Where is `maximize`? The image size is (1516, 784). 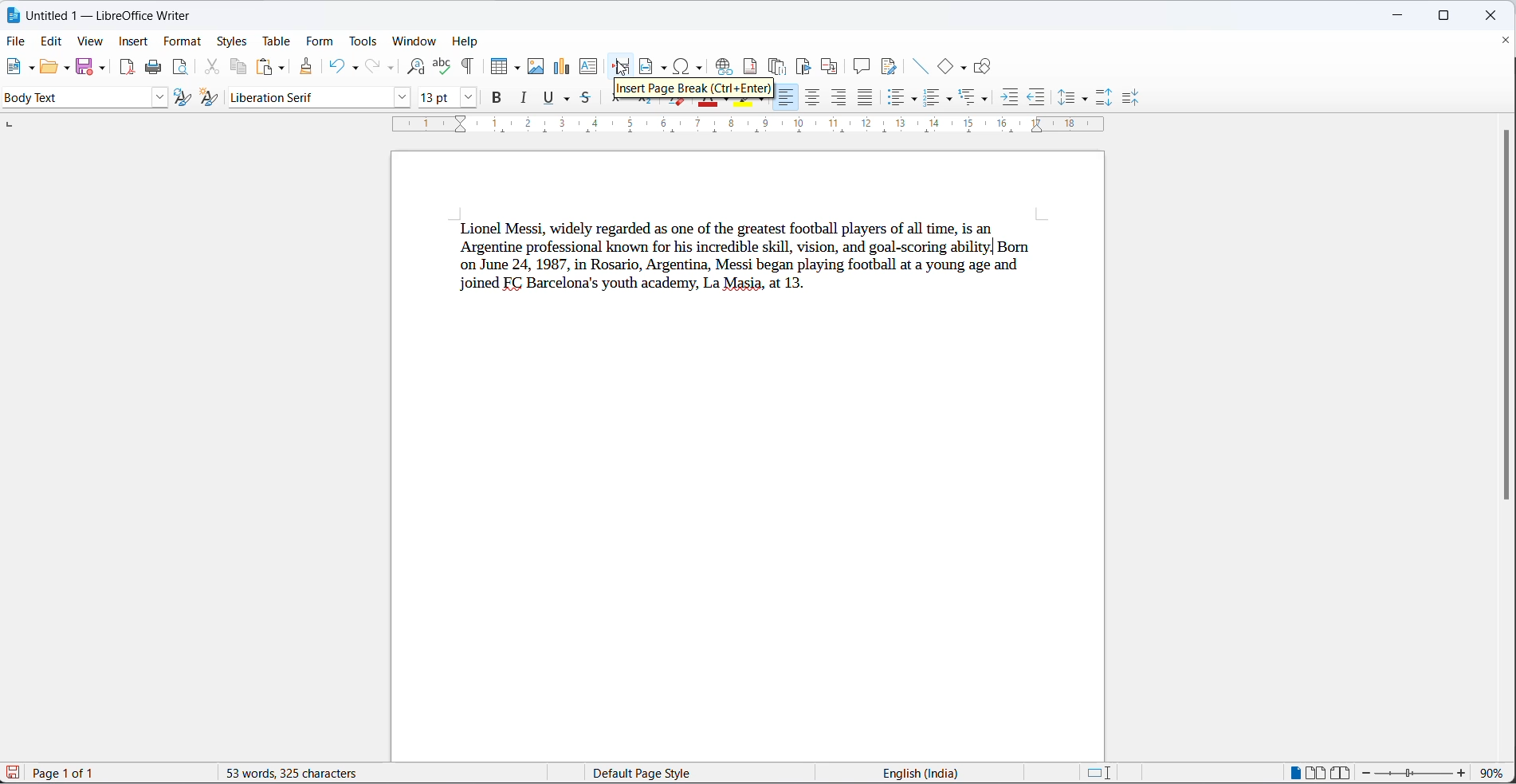
maximize is located at coordinates (1448, 16).